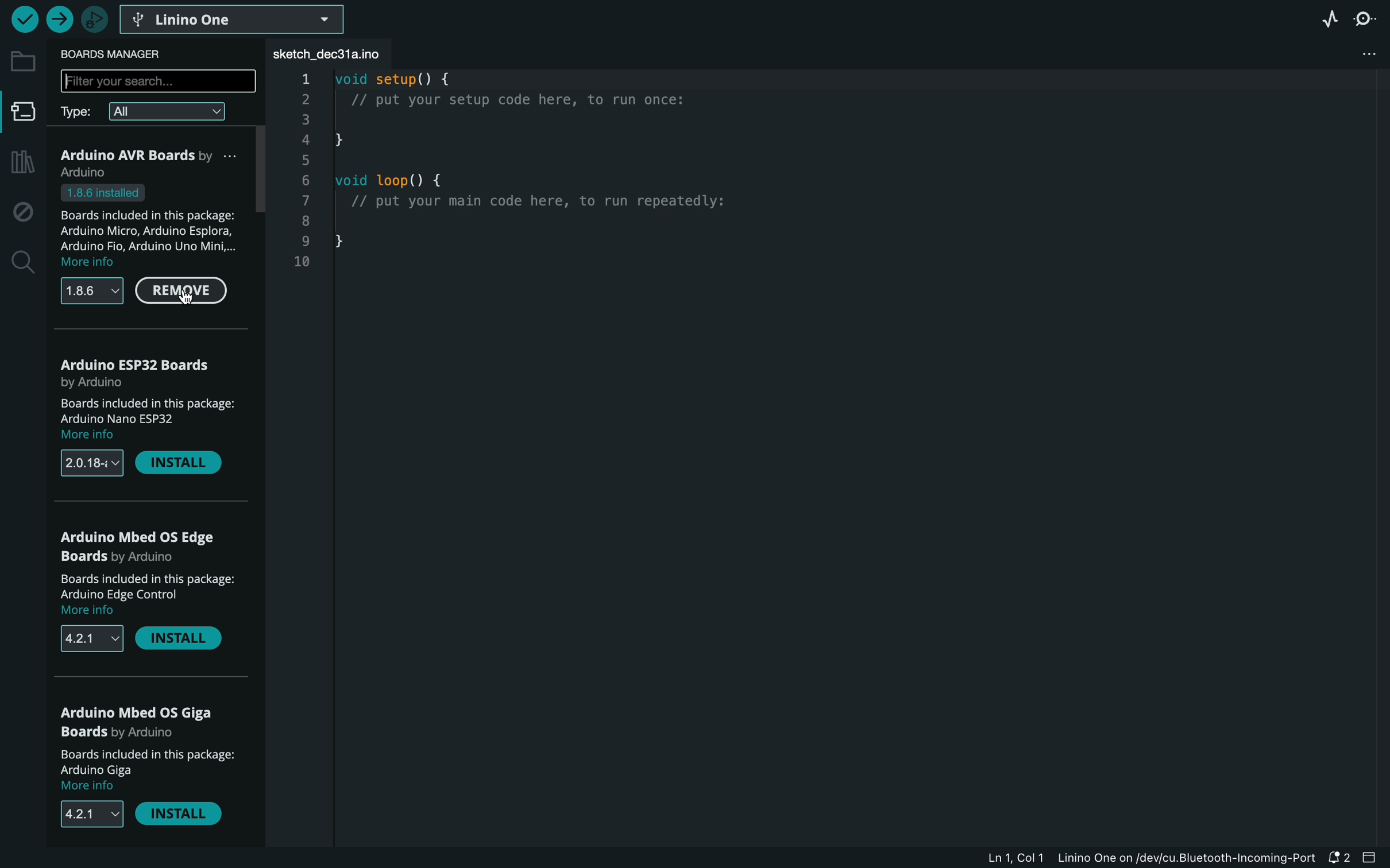 The height and width of the screenshot is (868, 1390). I want to click on description, so click(145, 762).